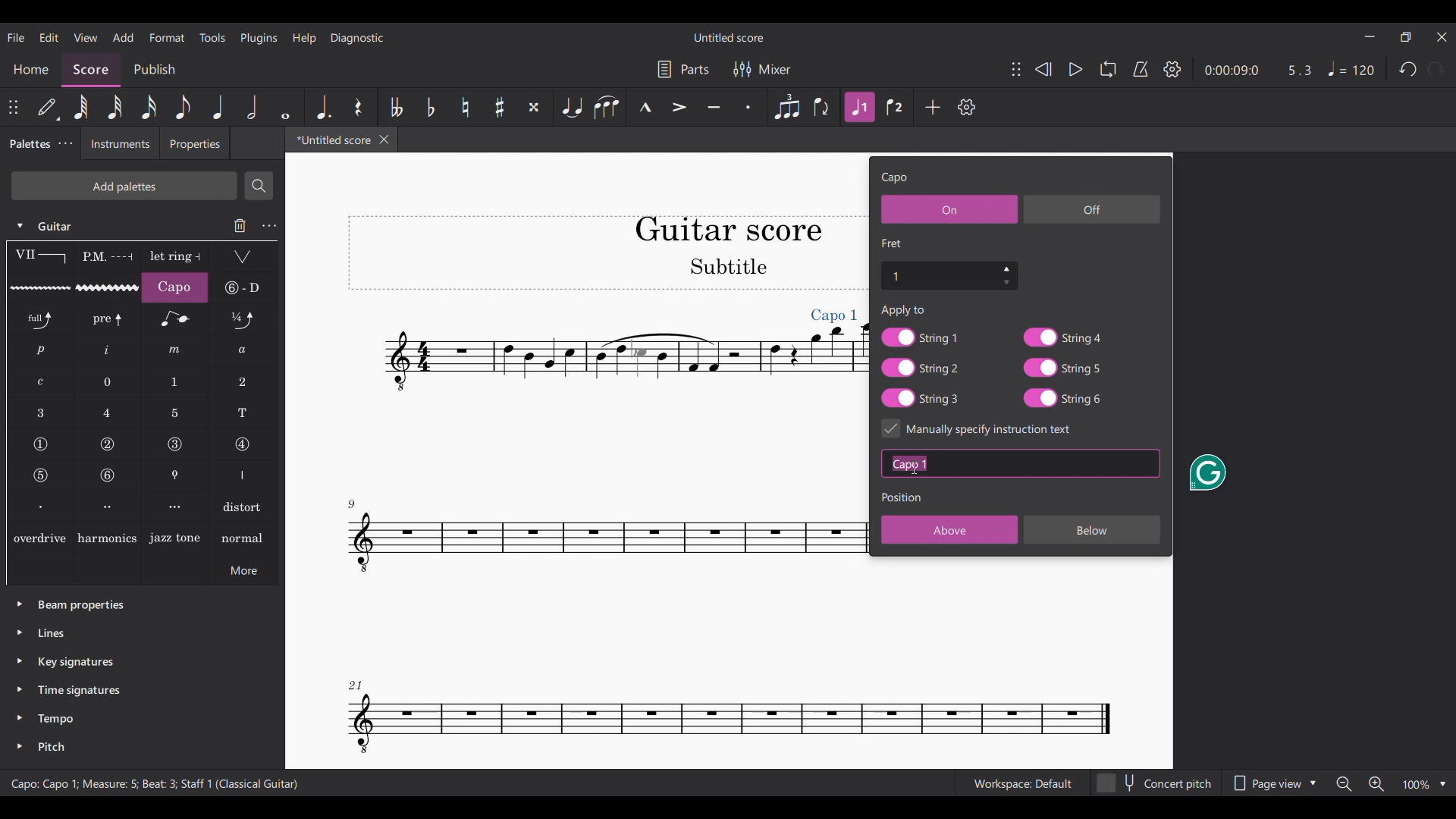  What do you see at coordinates (253, 107) in the screenshot?
I see `Half note` at bounding box center [253, 107].